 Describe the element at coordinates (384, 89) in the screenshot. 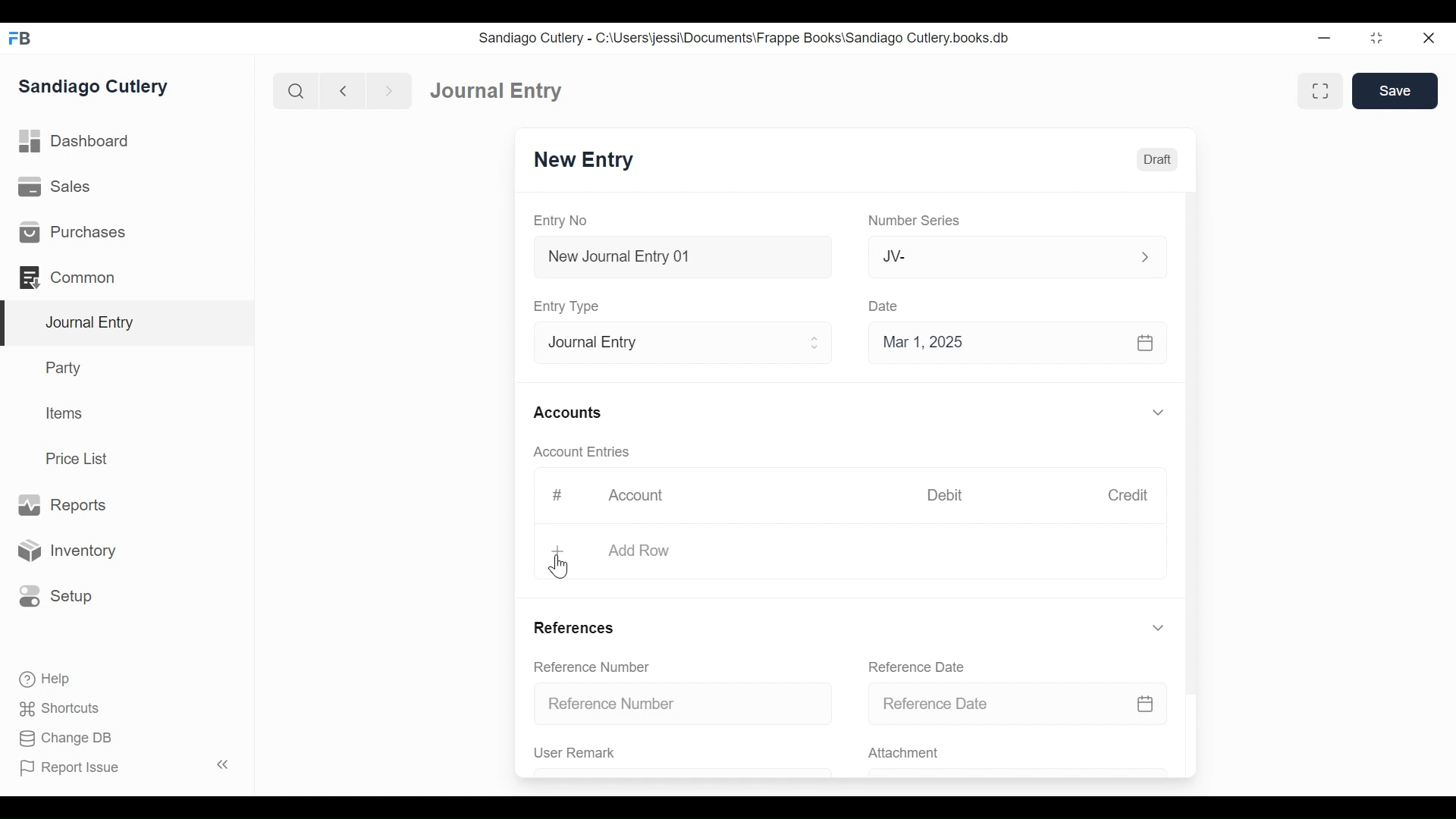

I see `next` at that location.